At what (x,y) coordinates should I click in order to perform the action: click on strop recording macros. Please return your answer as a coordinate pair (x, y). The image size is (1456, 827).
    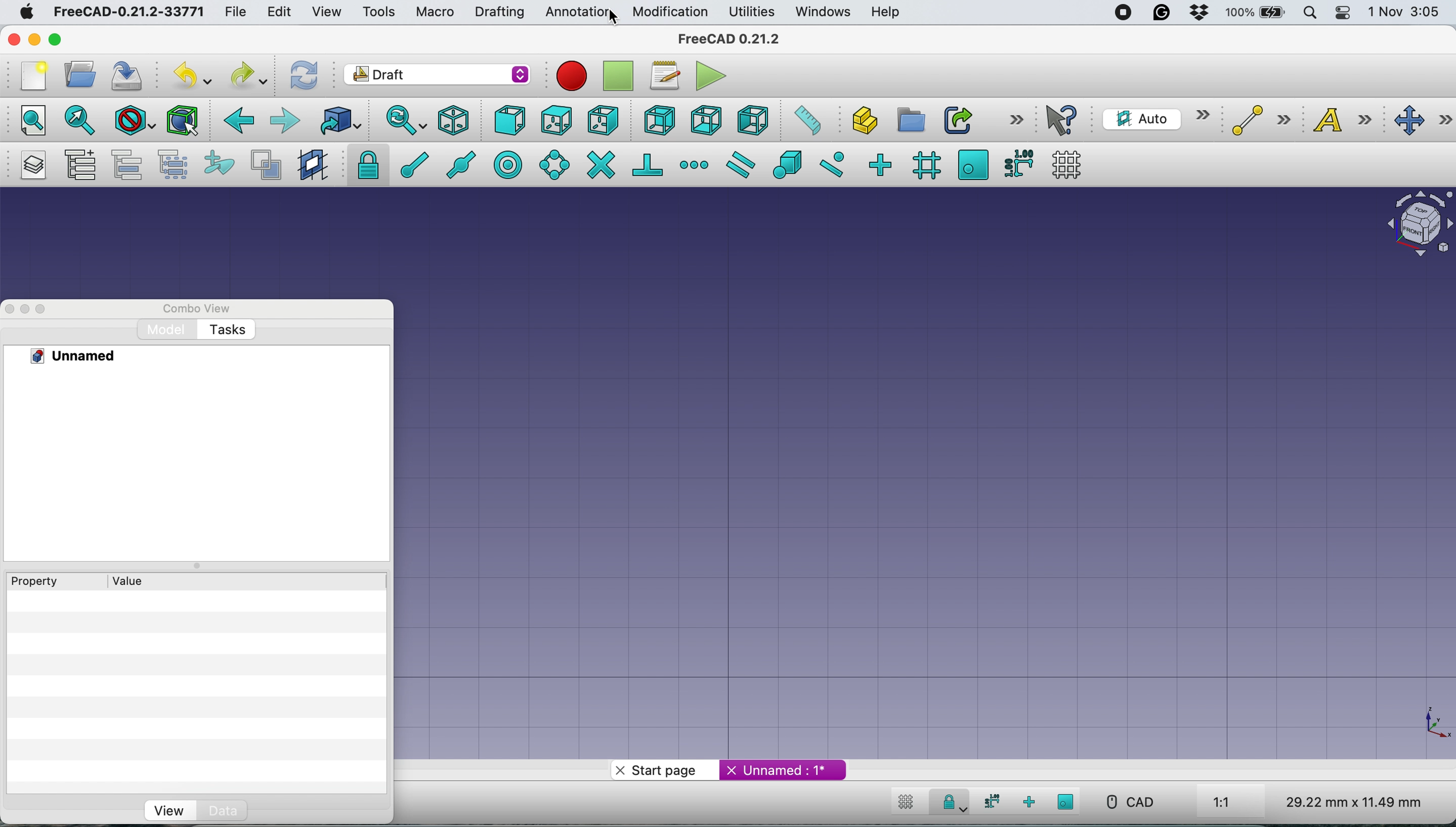
    Looking at the image, I should click on (621, 75).